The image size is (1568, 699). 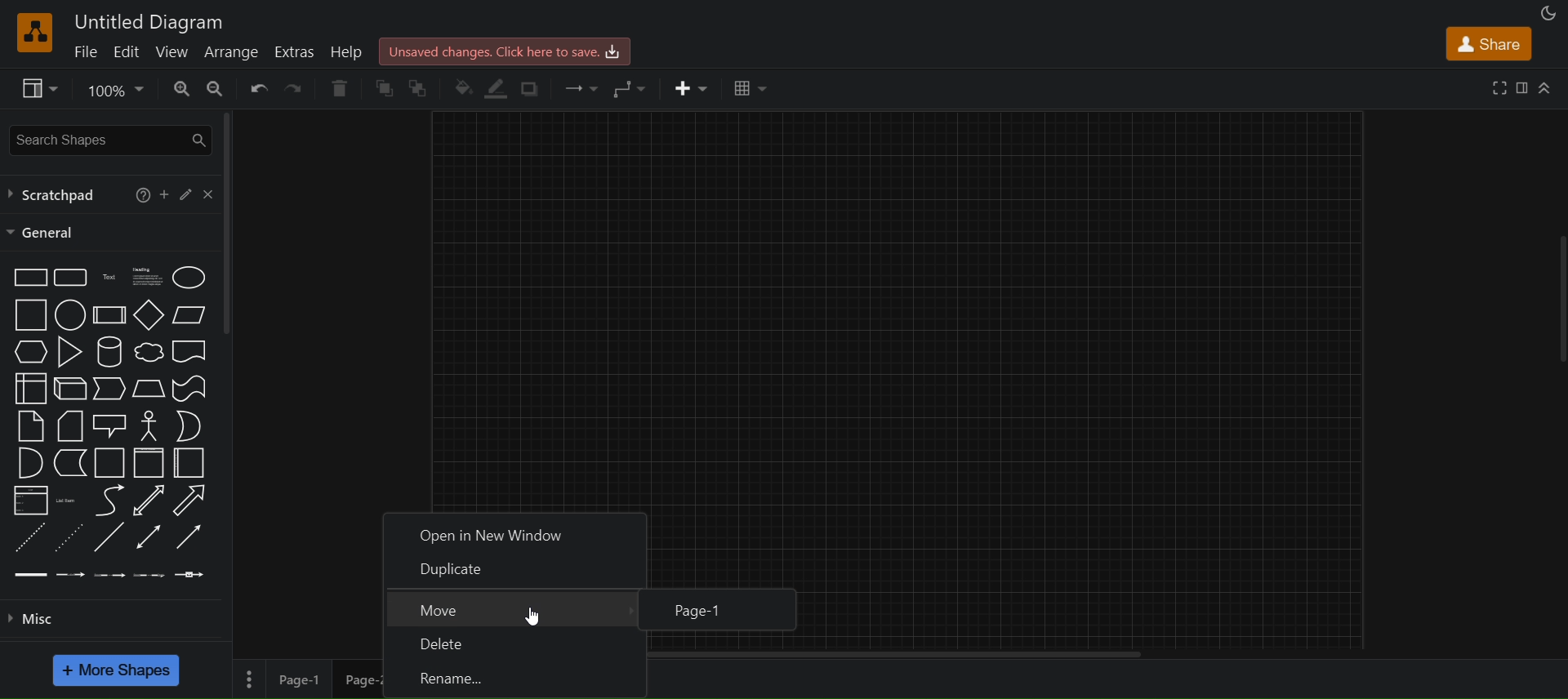 I want to click on cylinder, so click(x=107, y=353).